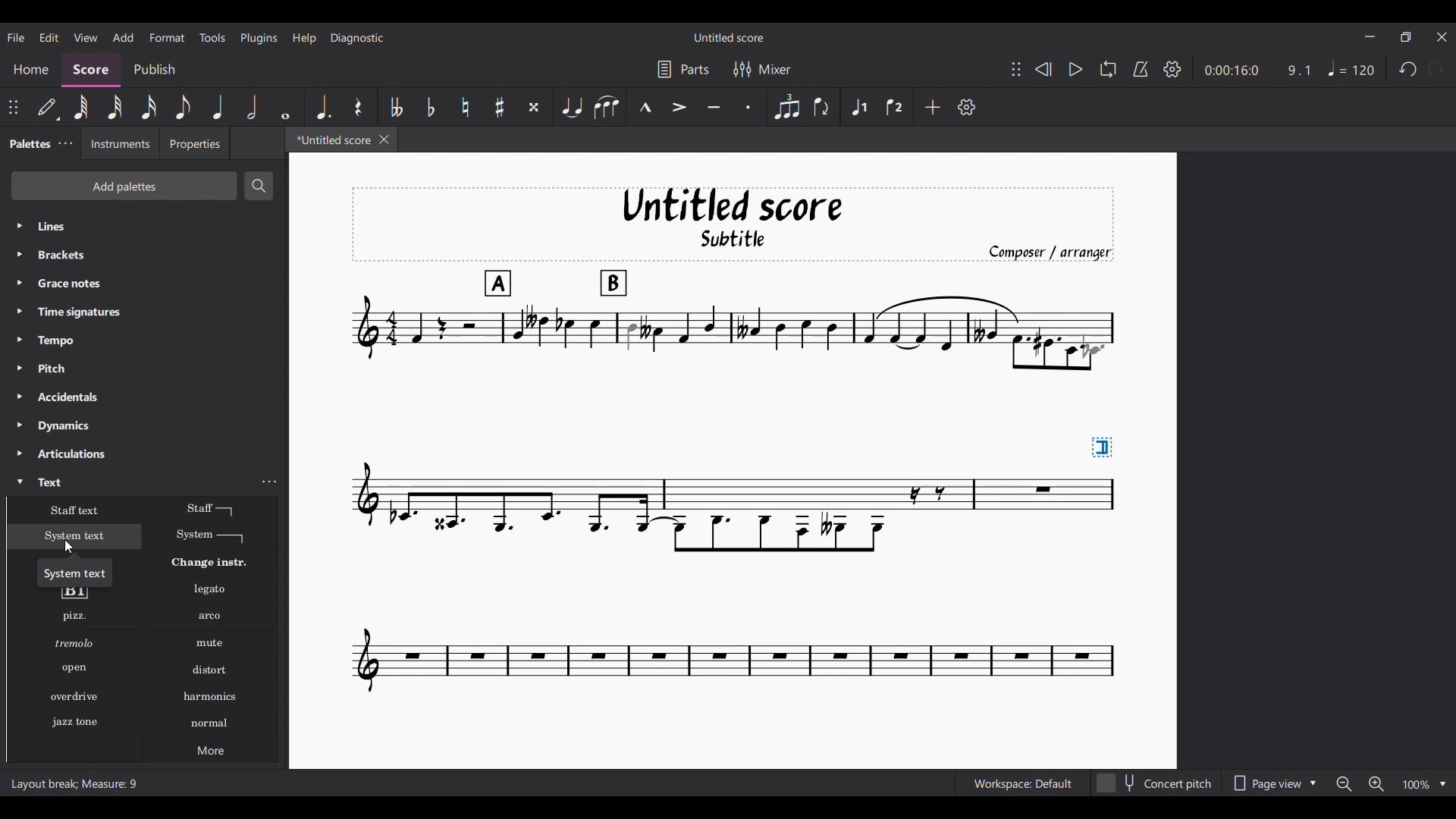  What do you see at coordinates (86, 38) in the screenshot?
I see `View menu` at bounding box center [86, 38].